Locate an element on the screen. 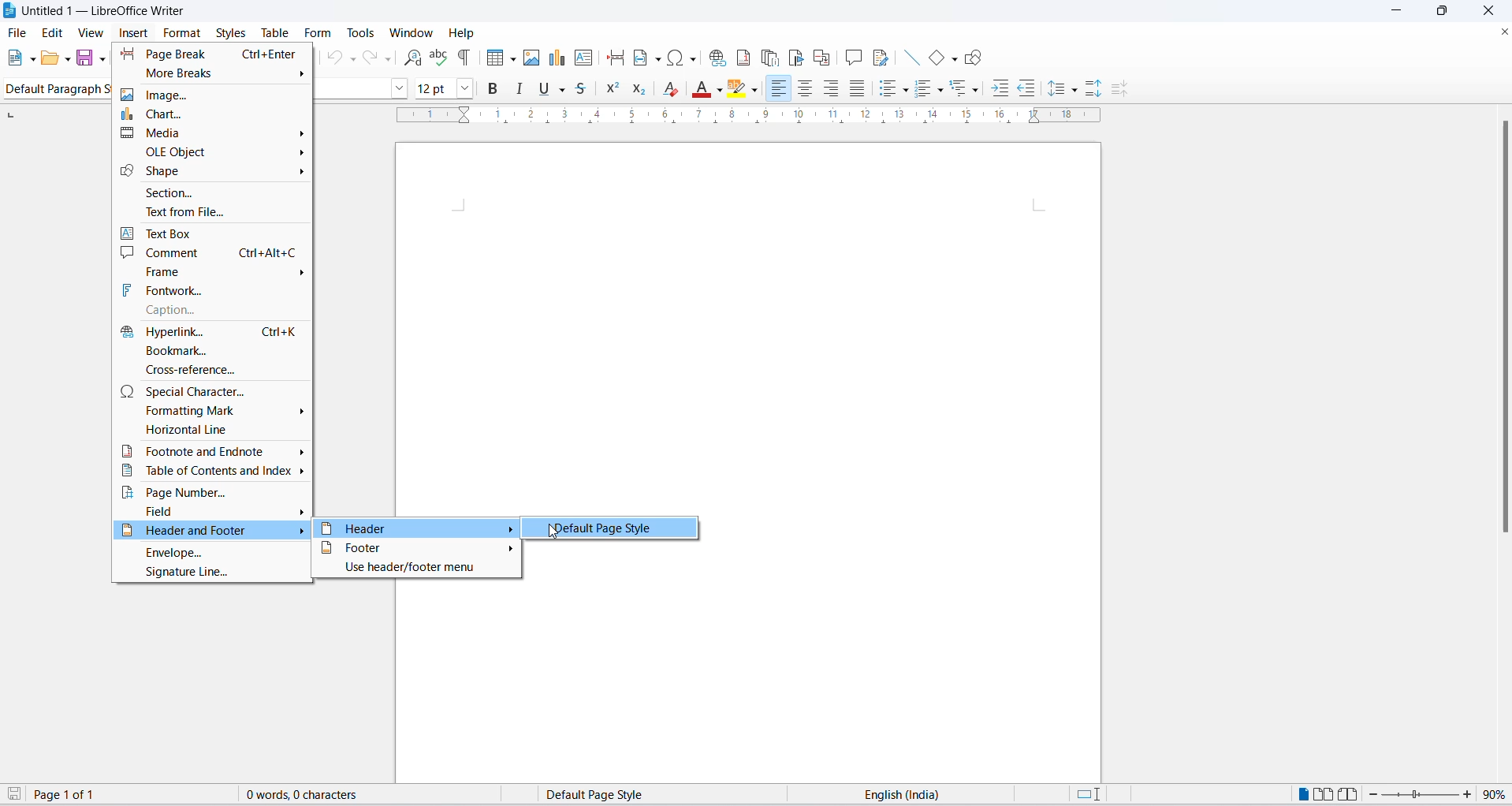 The image size is (1512, 806). increase indent is located at coordinates (1000, 90).